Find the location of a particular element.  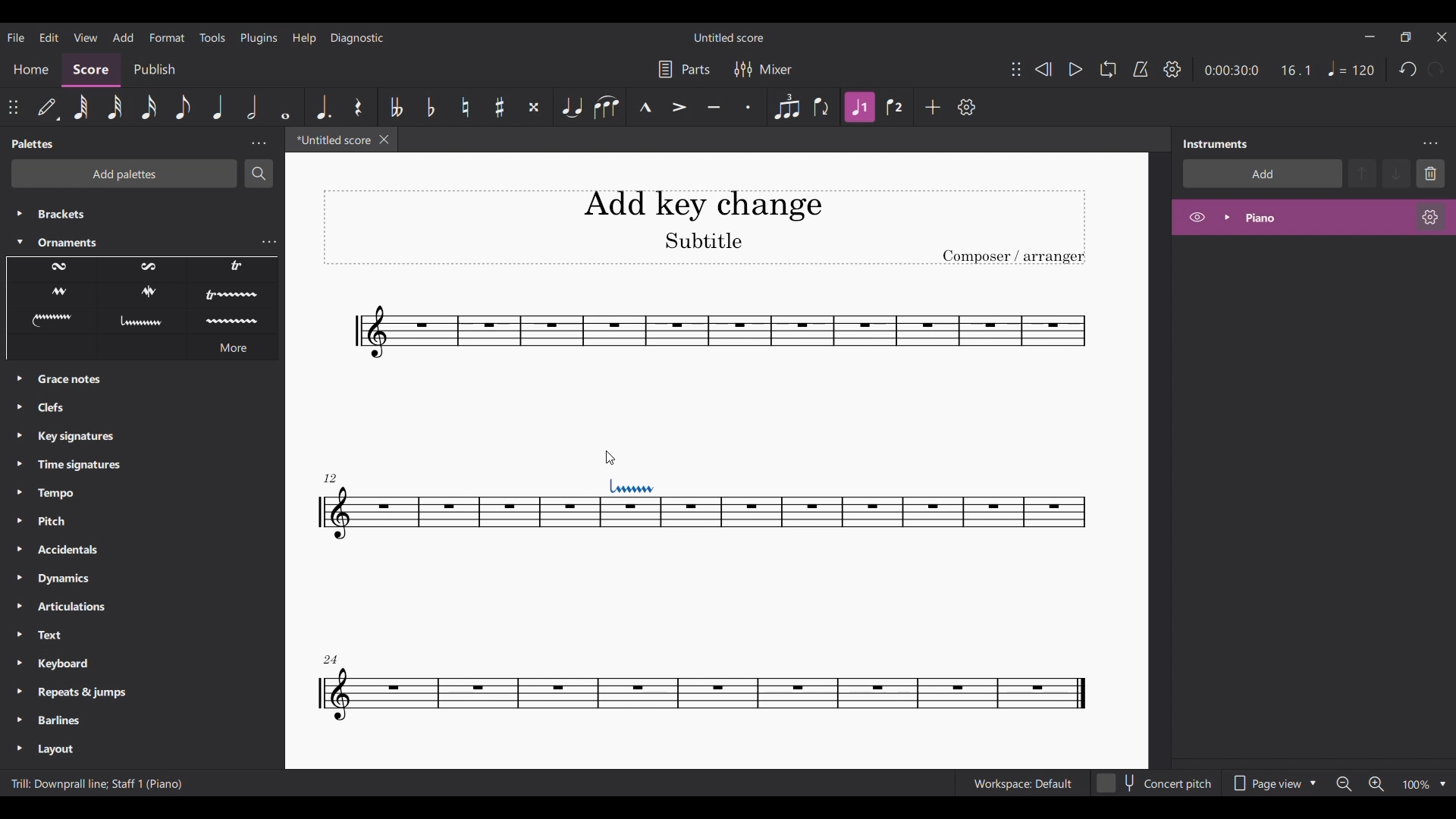

Change position of toolbar is located at coordinates (13, 108).